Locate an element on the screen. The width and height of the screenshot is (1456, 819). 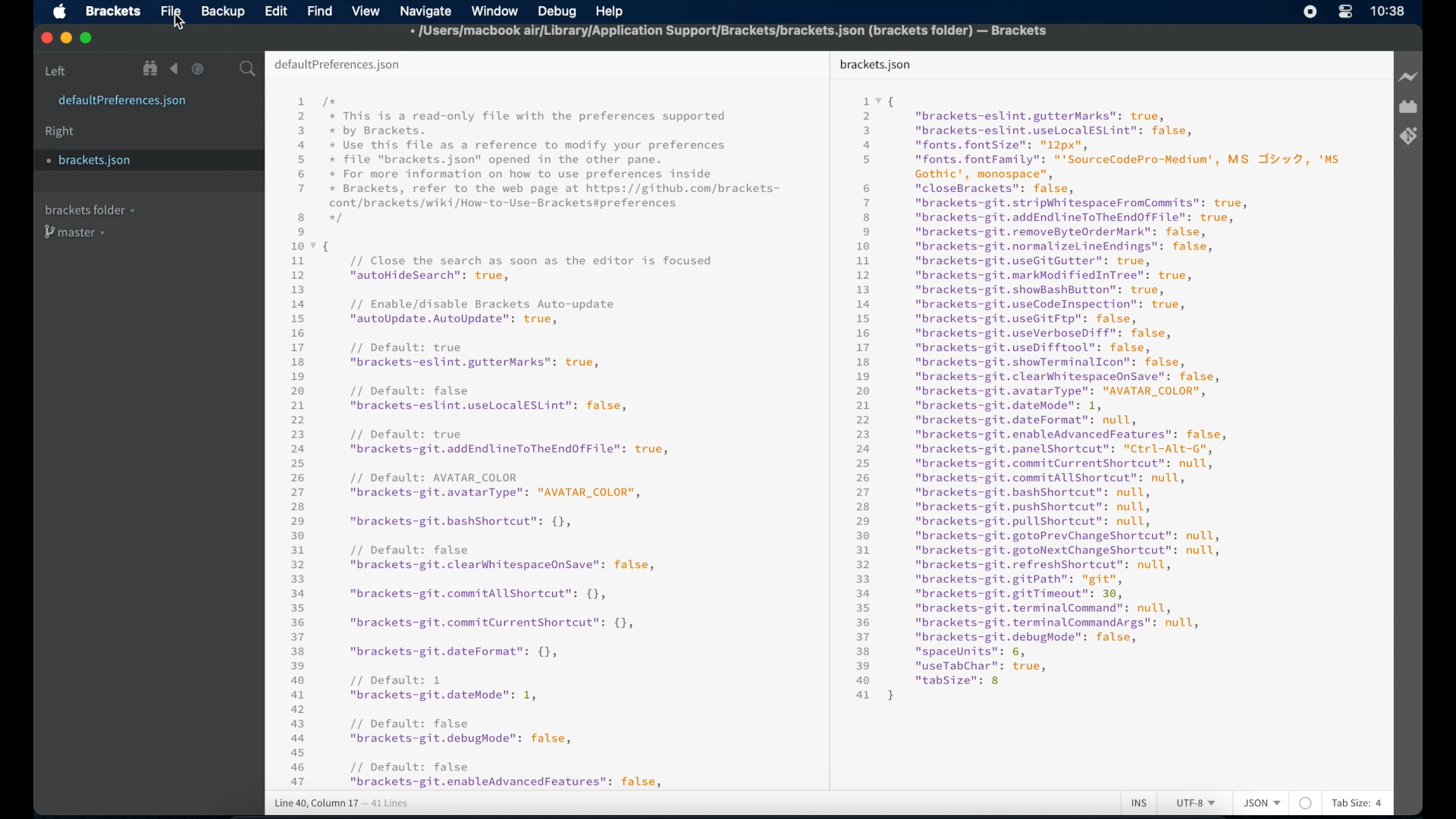
apple icon is located at coordinates (61, 12).